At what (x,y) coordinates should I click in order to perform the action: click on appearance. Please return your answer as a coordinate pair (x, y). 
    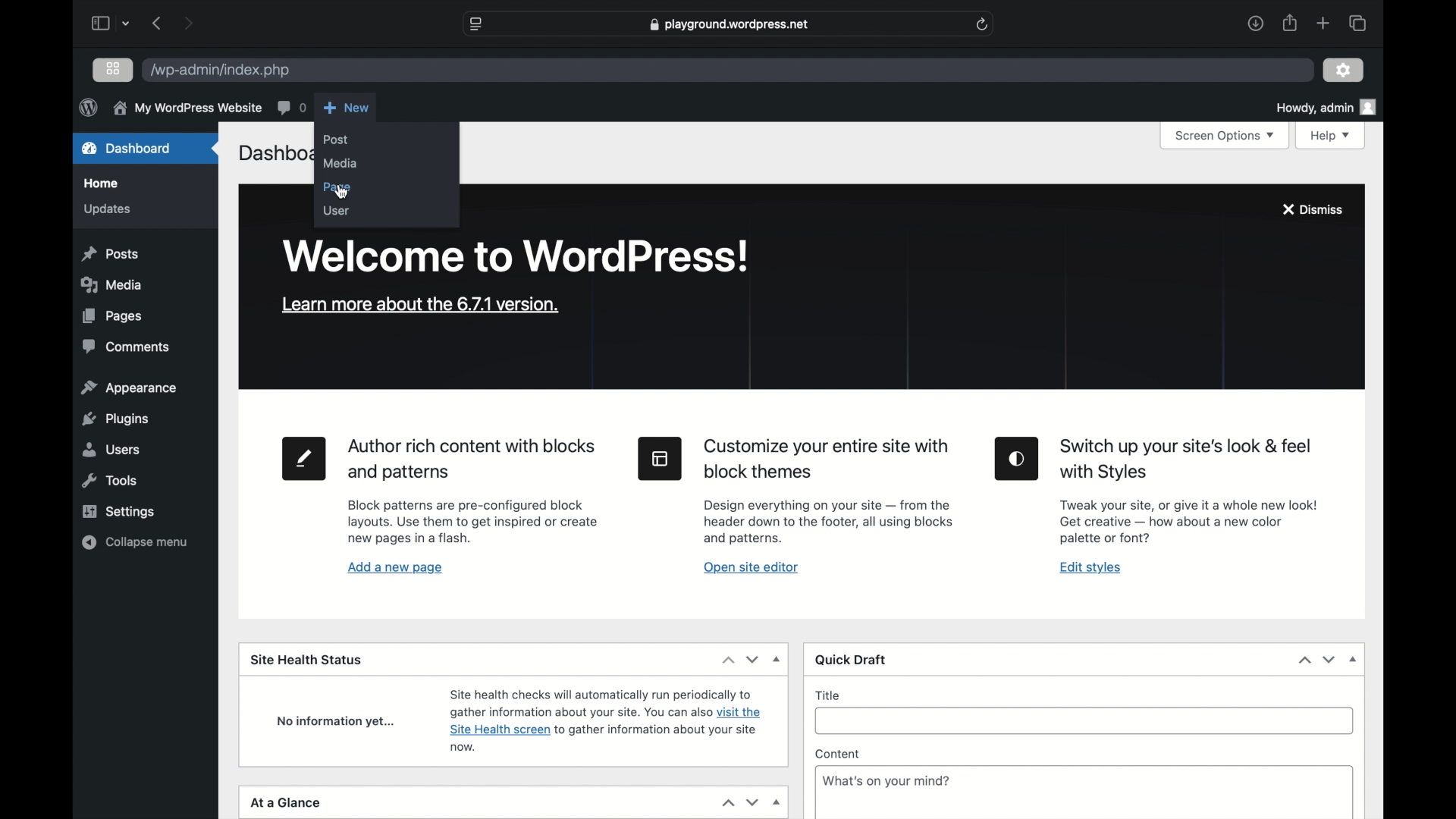
    Looking at the image, I should click on (129, 388).